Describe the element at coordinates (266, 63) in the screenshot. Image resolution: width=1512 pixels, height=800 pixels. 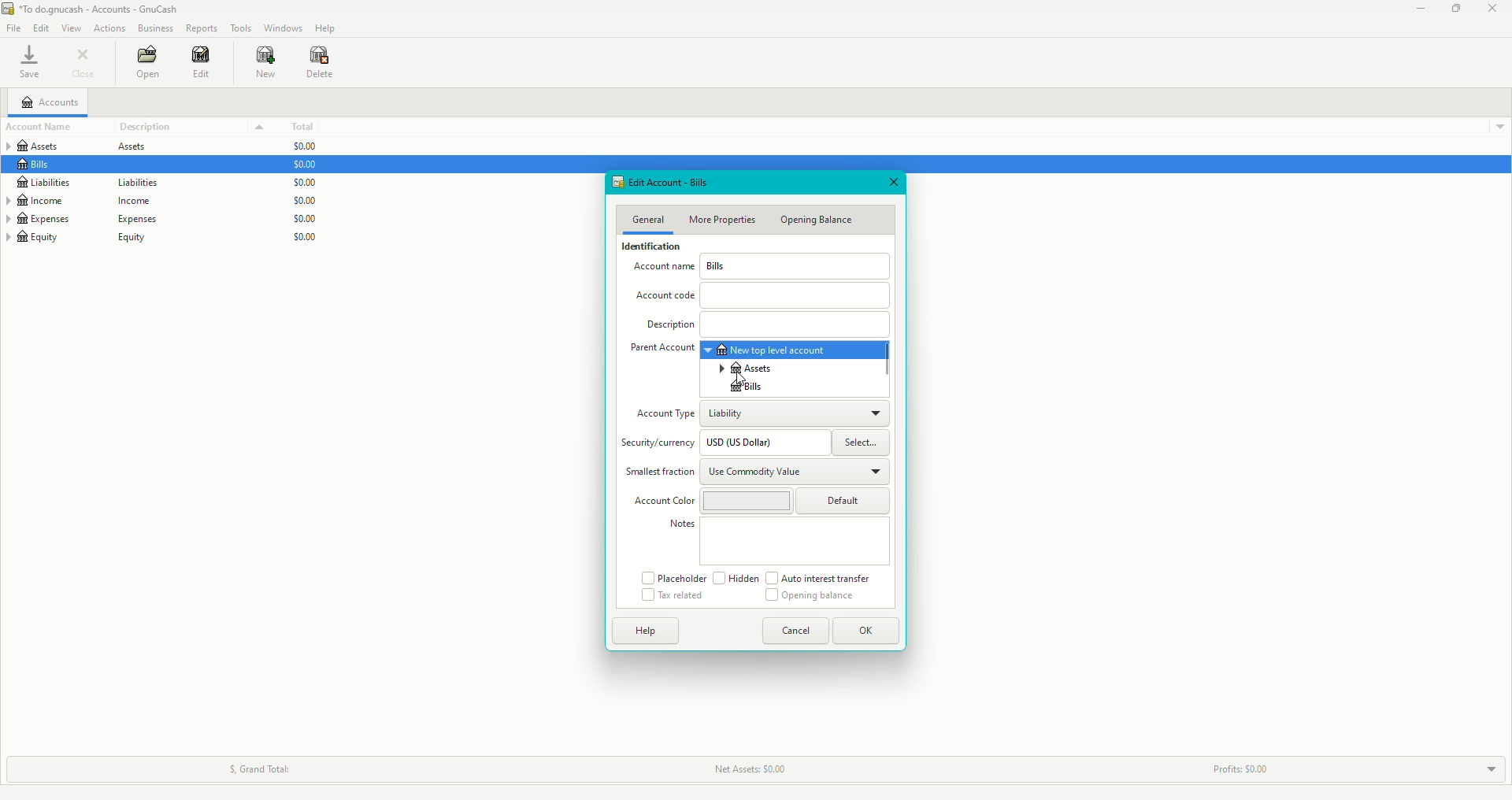
I see `New` at that location.